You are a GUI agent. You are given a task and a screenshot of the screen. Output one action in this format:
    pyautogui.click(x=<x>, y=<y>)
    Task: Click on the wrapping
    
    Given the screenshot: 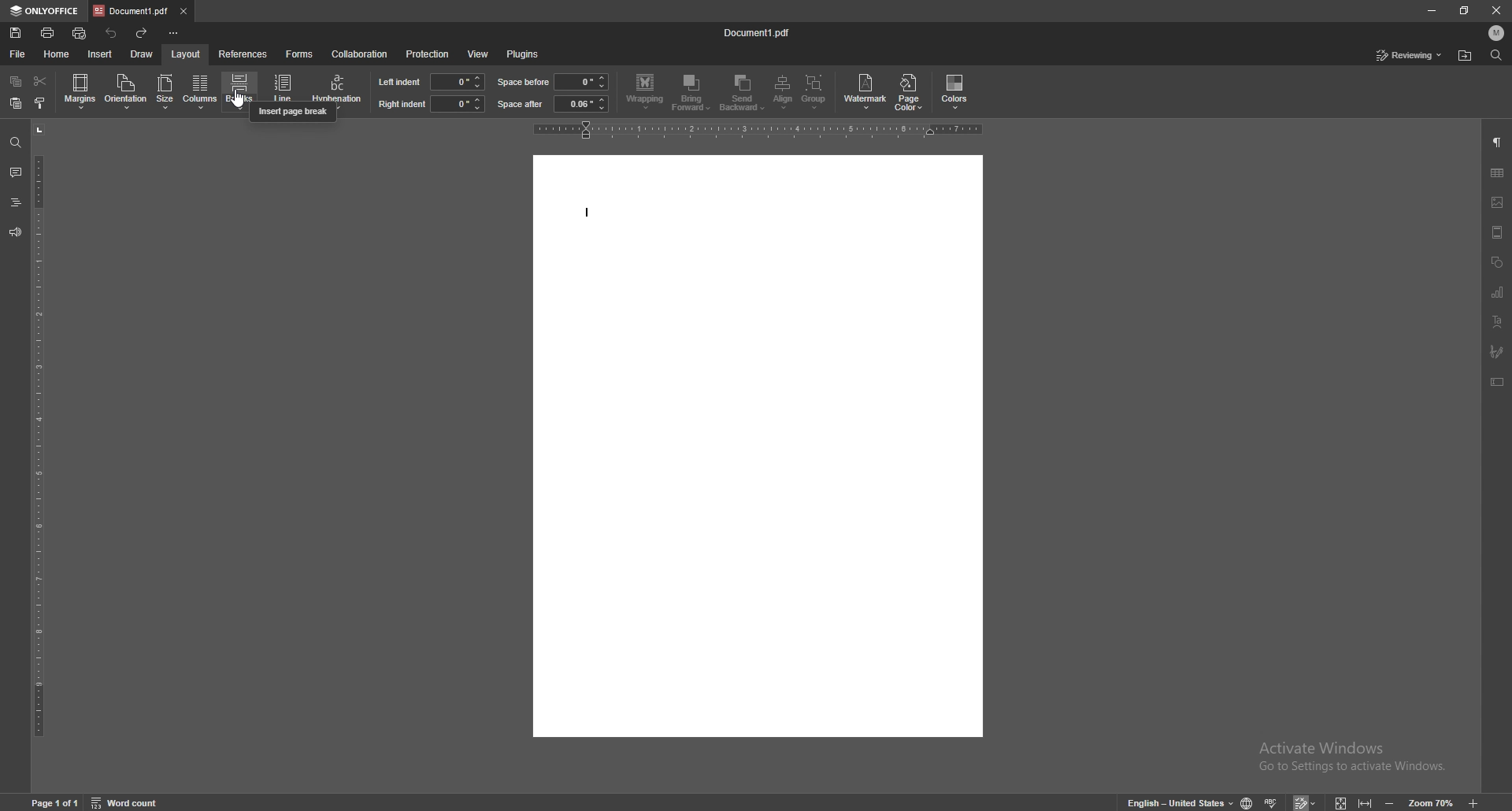 What is the action you would take?
    pyautogui.click(x=646, y=92)
    